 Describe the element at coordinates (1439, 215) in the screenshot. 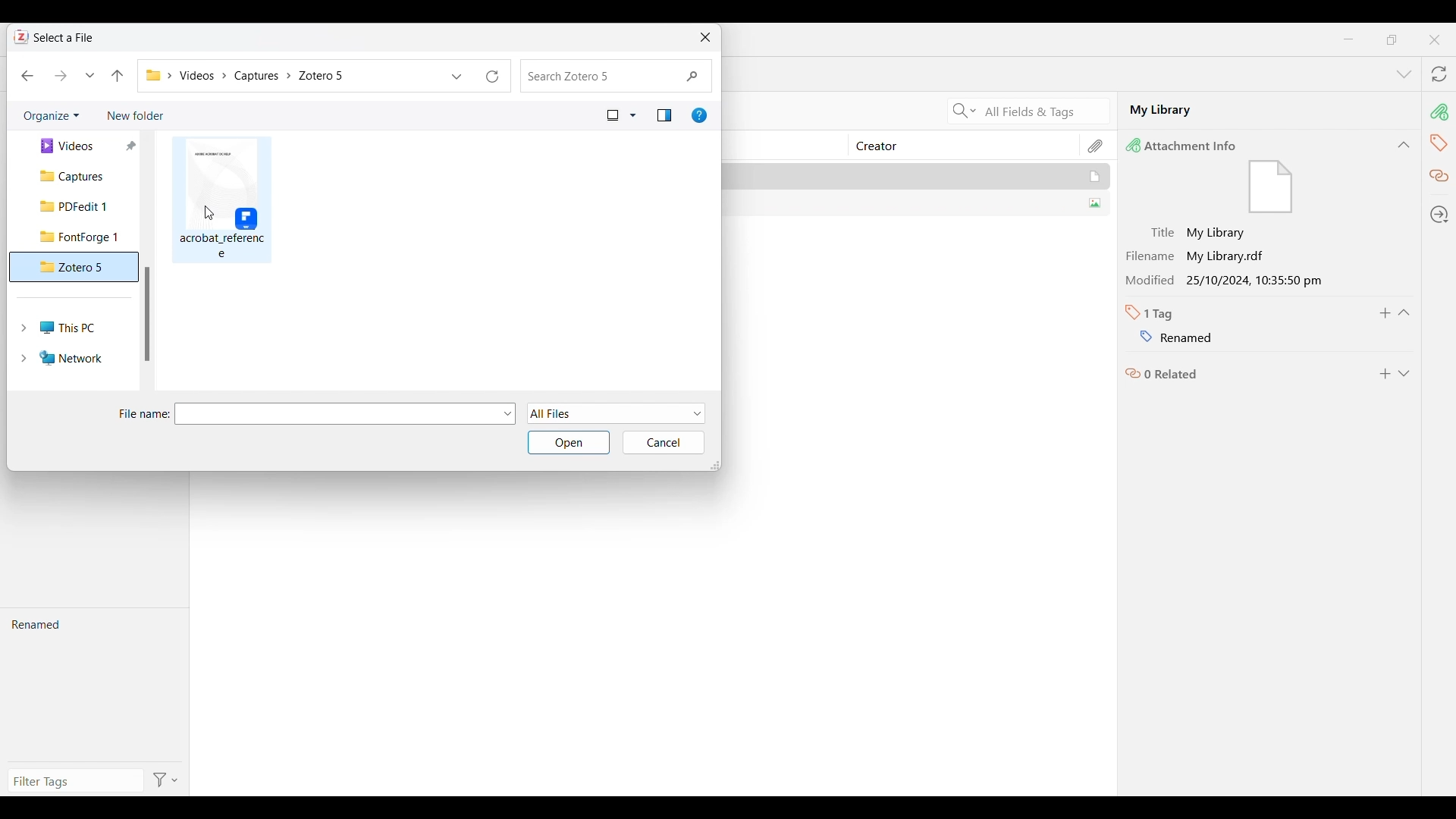

I see `Locate` at that location.